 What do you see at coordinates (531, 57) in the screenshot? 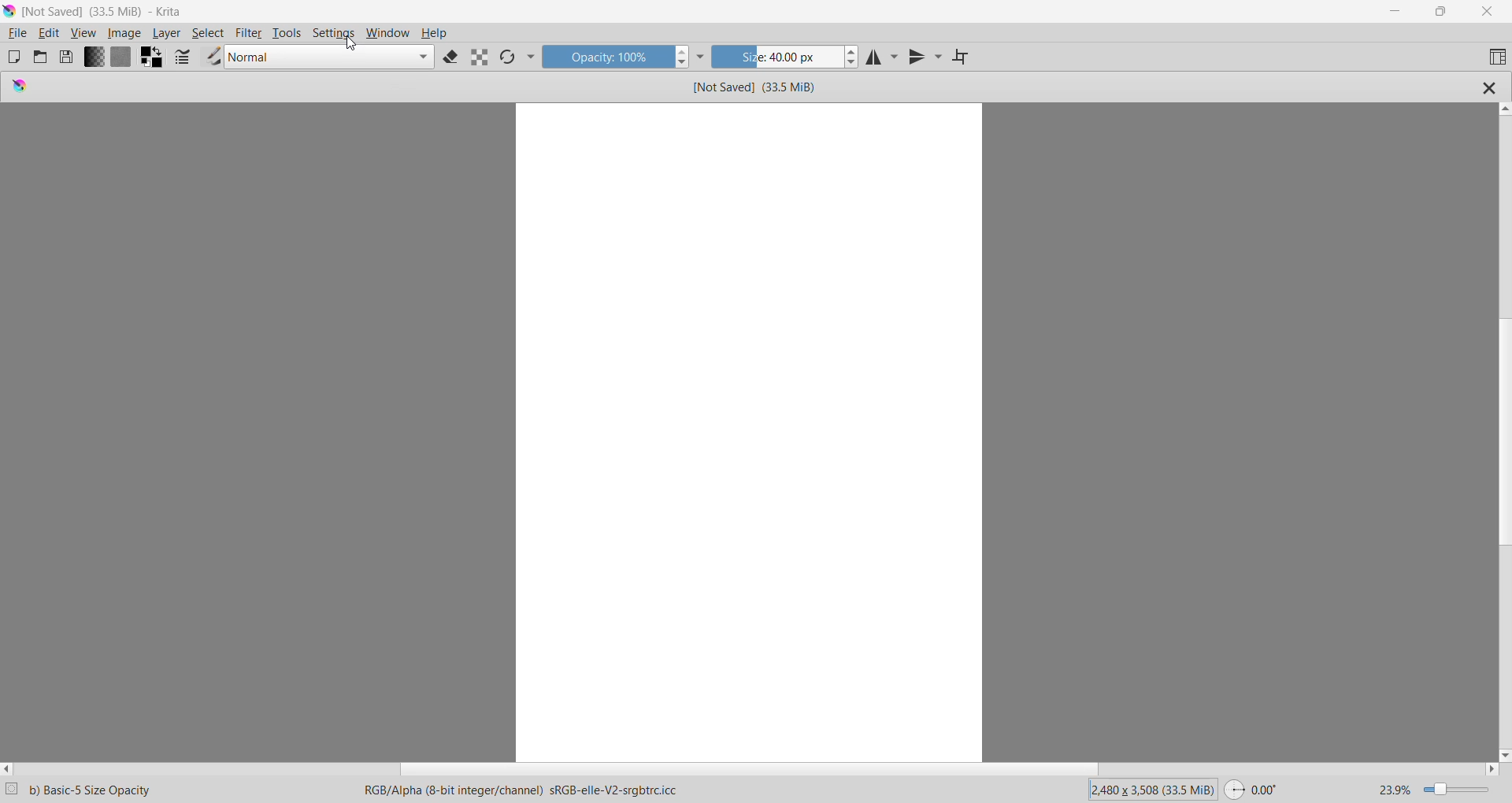
I see `More Tools` at bounding box center [531, 57].